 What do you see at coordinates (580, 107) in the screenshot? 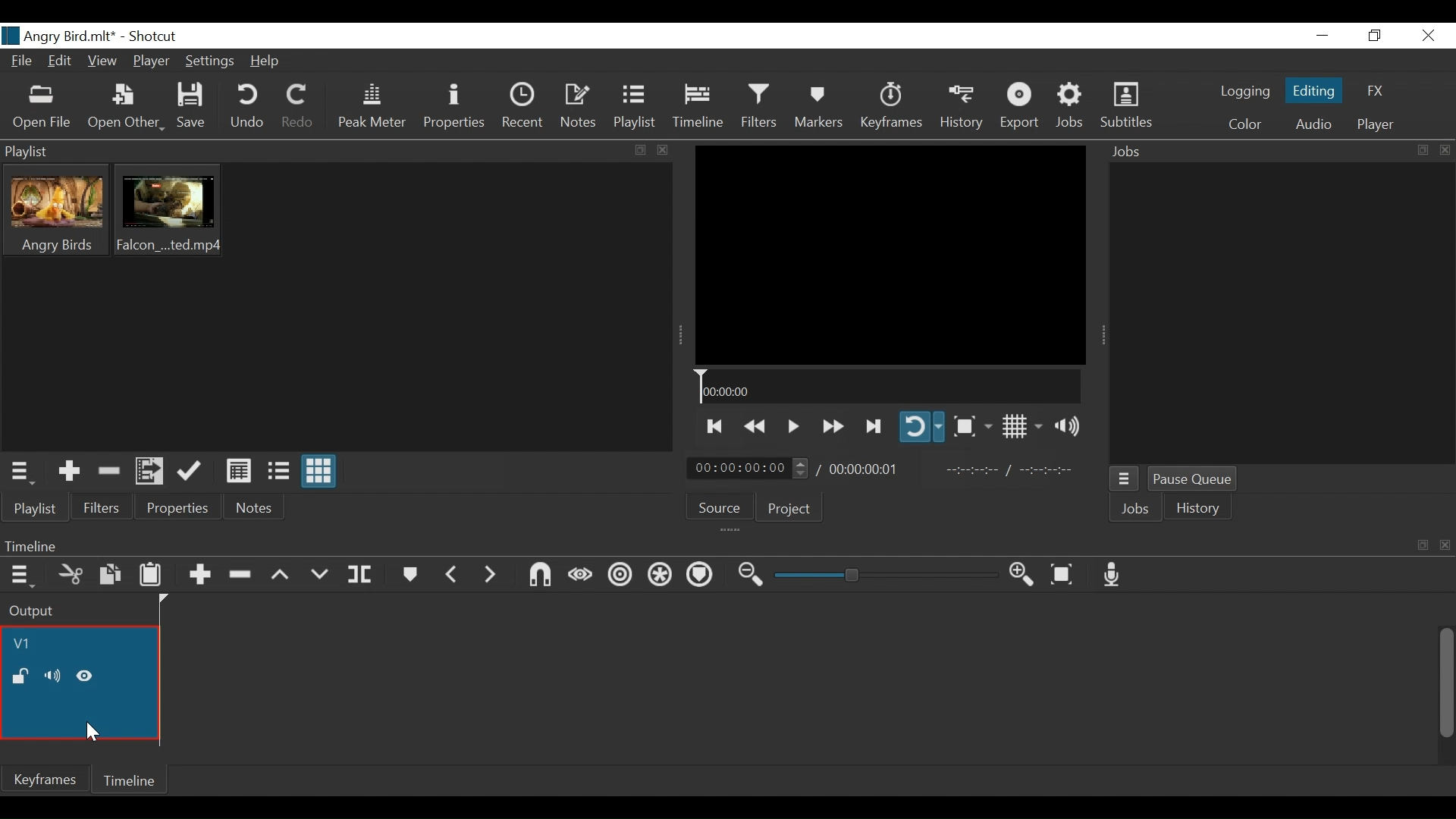
I see `` at bounding box center [580, 107].